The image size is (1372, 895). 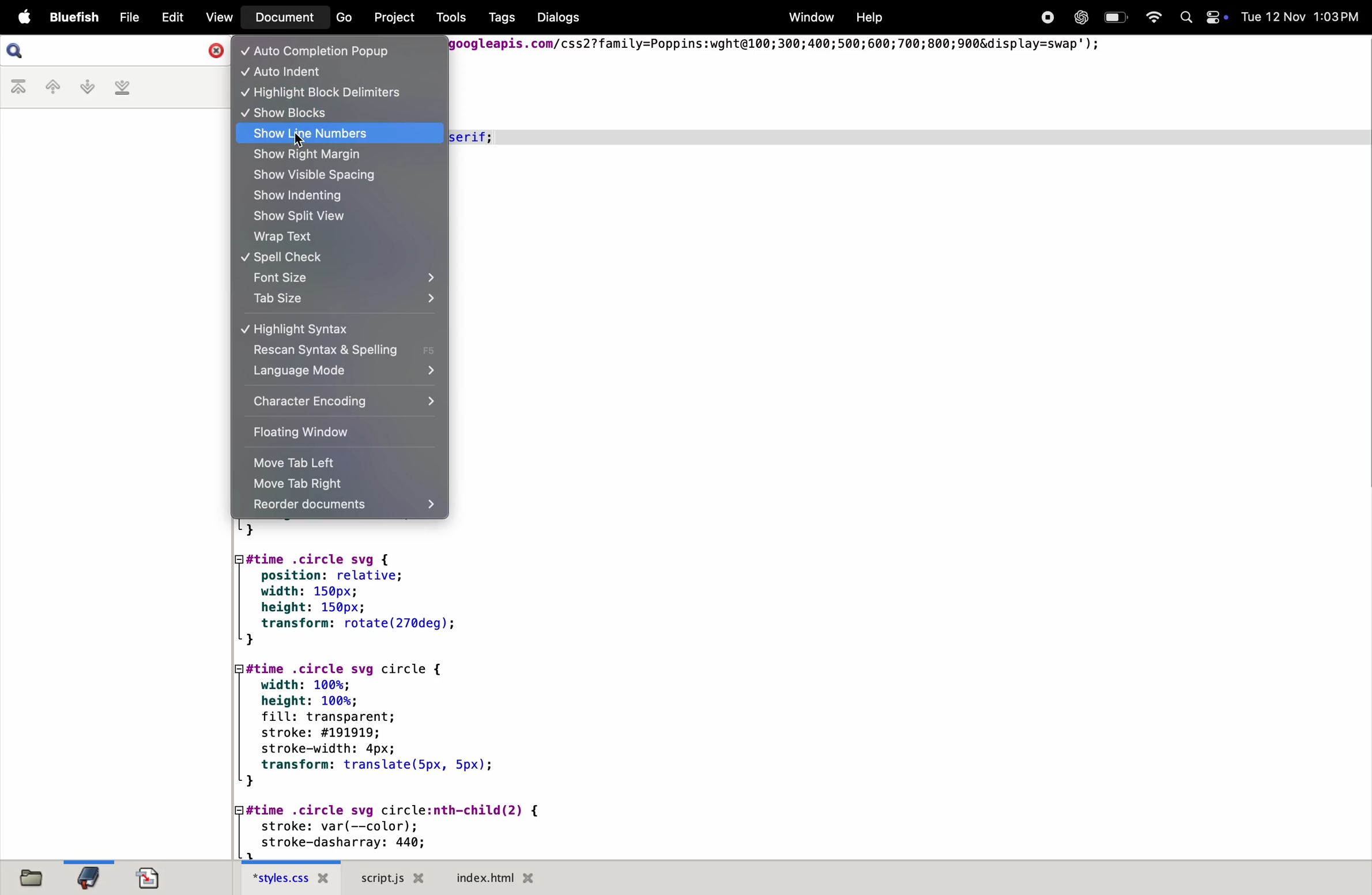 What do you see at coordinates (300, 144) in the screenshot?
I see `cursor` at bounding box center [300, 144].